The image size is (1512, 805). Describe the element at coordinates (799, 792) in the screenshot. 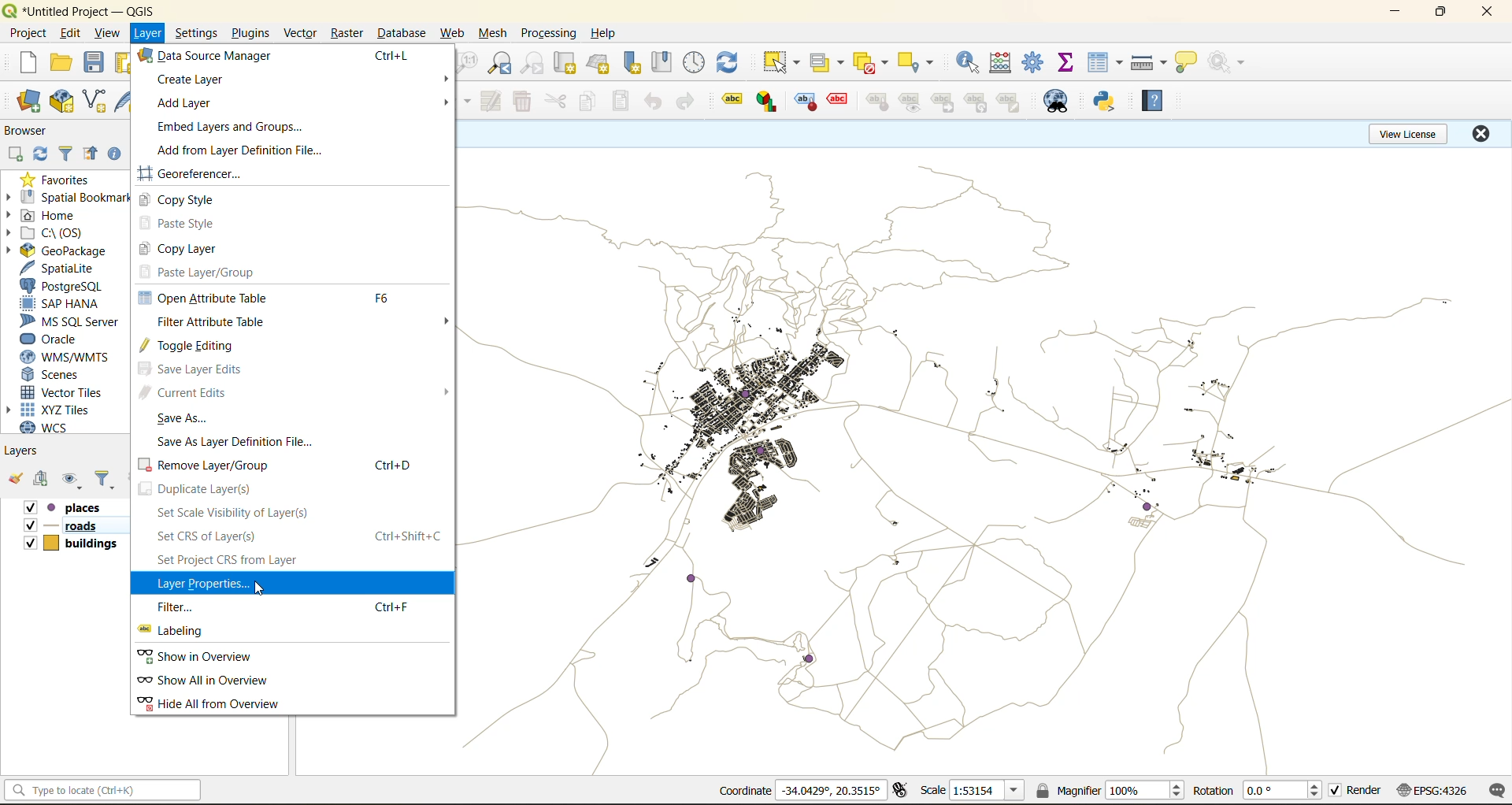

I see `coordinates` at that location.